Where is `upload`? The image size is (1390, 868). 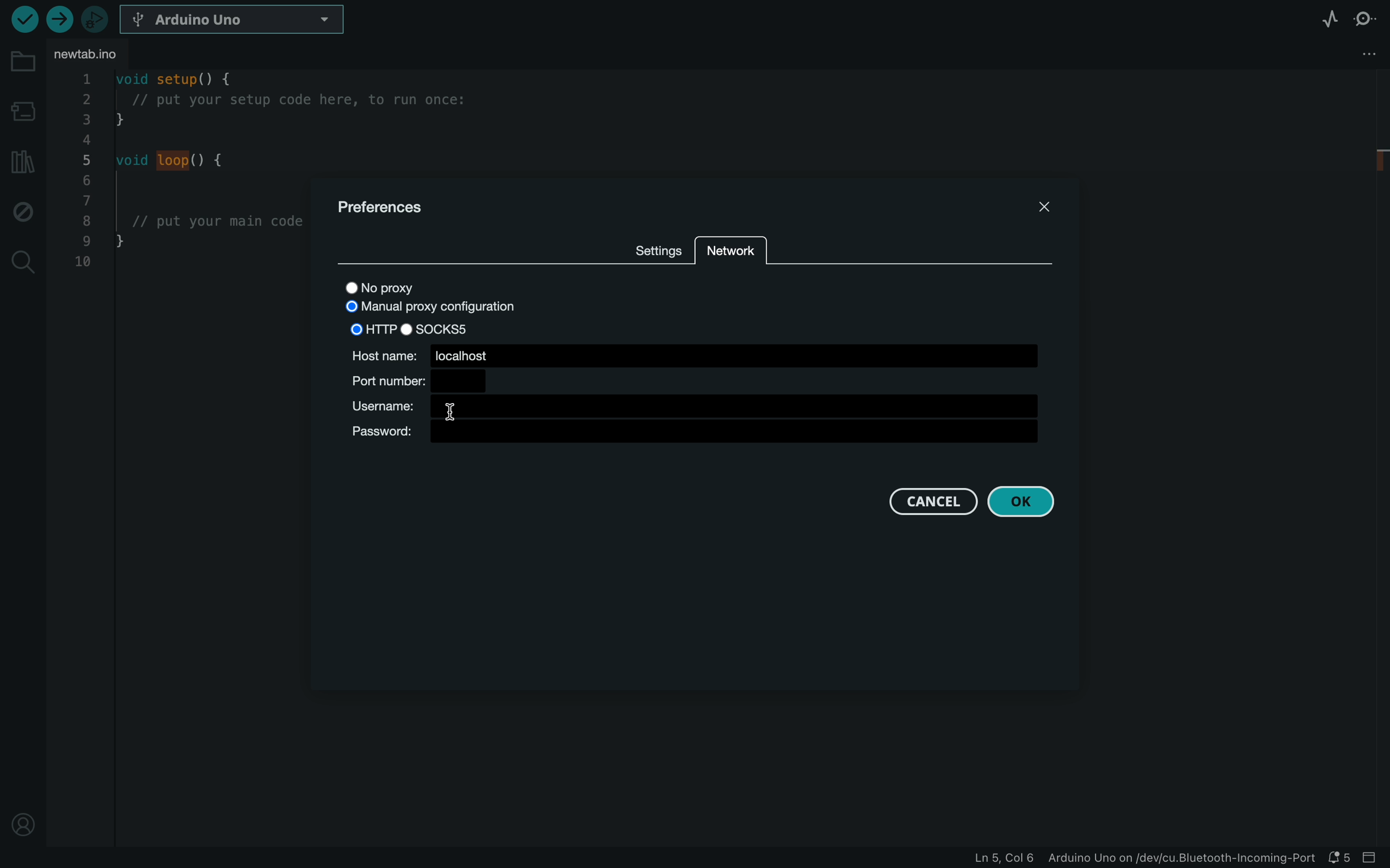
upload is located at coordinates (57, 19).